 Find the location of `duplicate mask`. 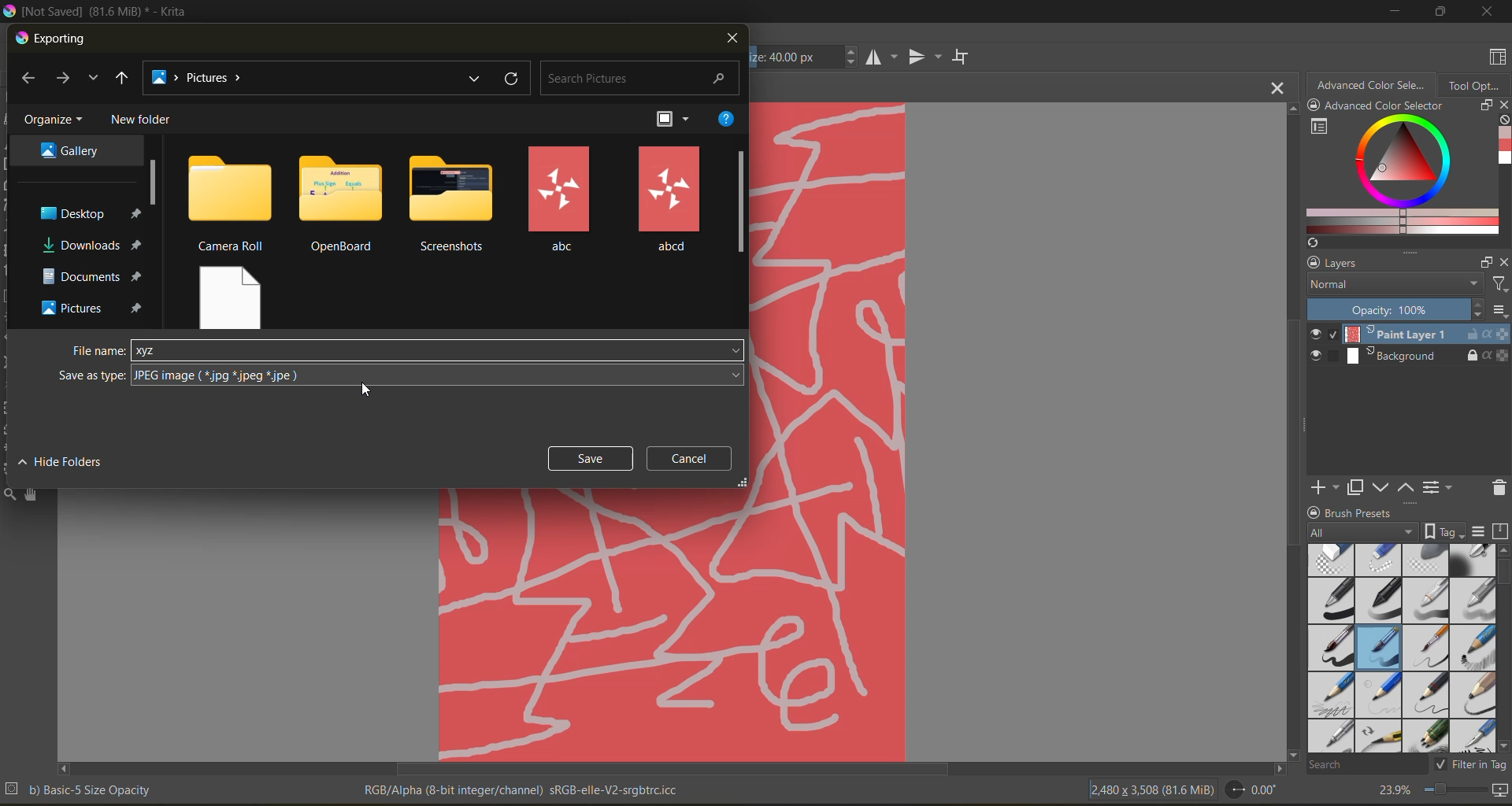

duplicate mask is located at coordinates (1355, 488).